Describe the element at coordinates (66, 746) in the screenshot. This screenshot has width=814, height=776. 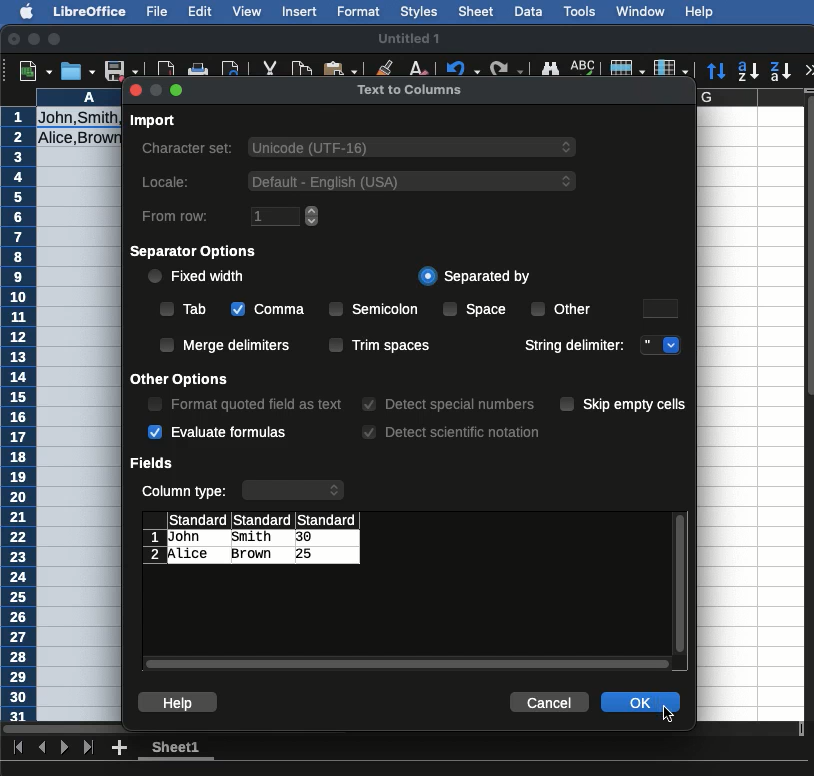
I see `Next sheet` at that location.